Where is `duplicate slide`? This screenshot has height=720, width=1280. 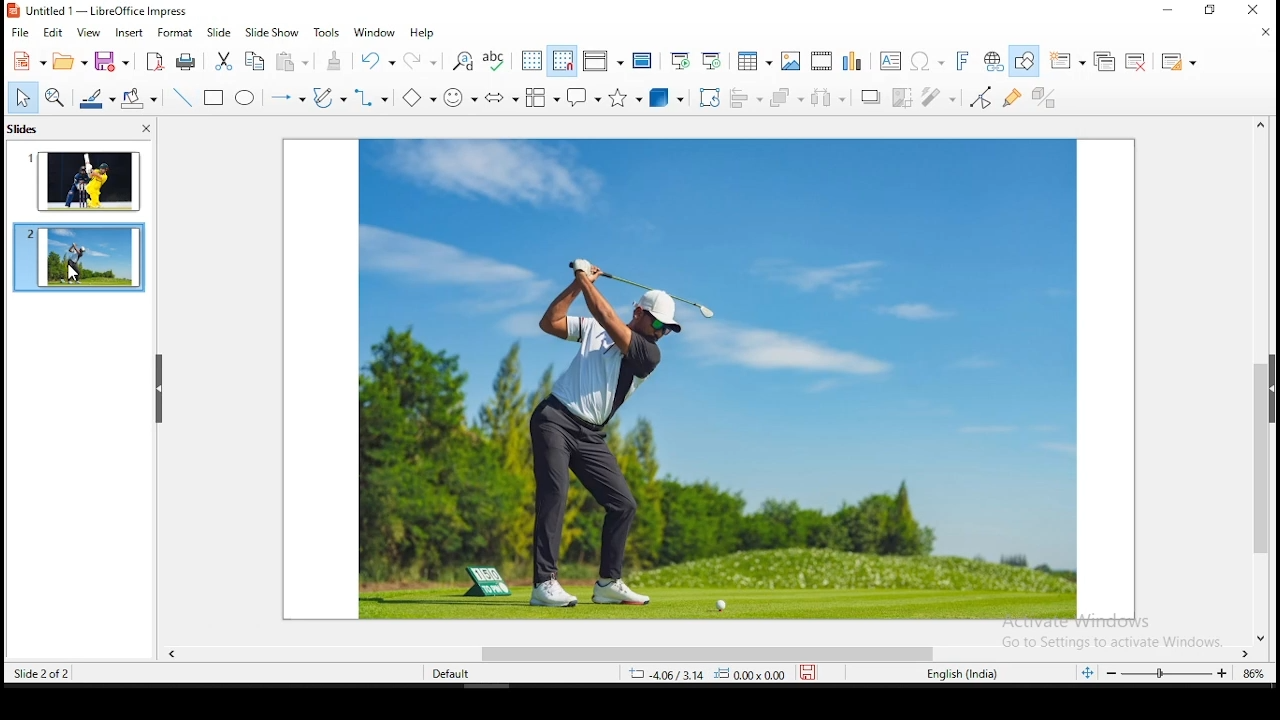
duplicate slide is located at coordinates (1105, 62).